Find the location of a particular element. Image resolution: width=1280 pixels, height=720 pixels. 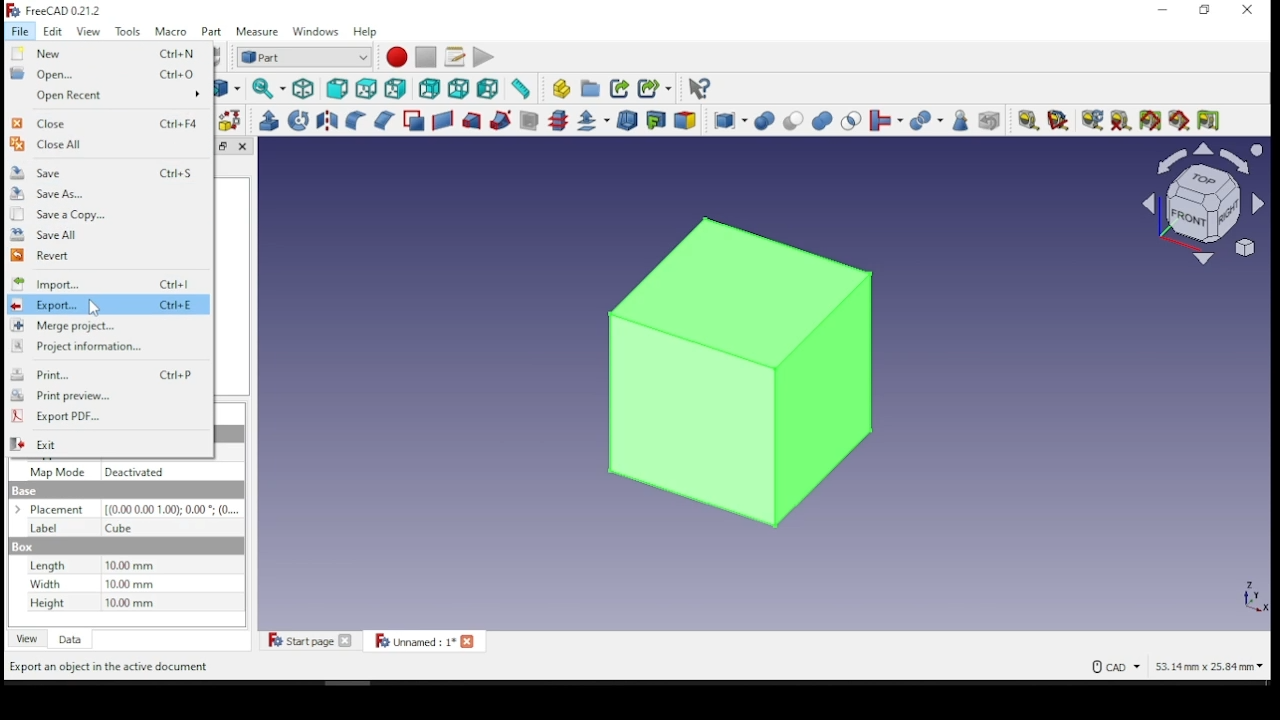

join objects is located at coordinates (886, 121).